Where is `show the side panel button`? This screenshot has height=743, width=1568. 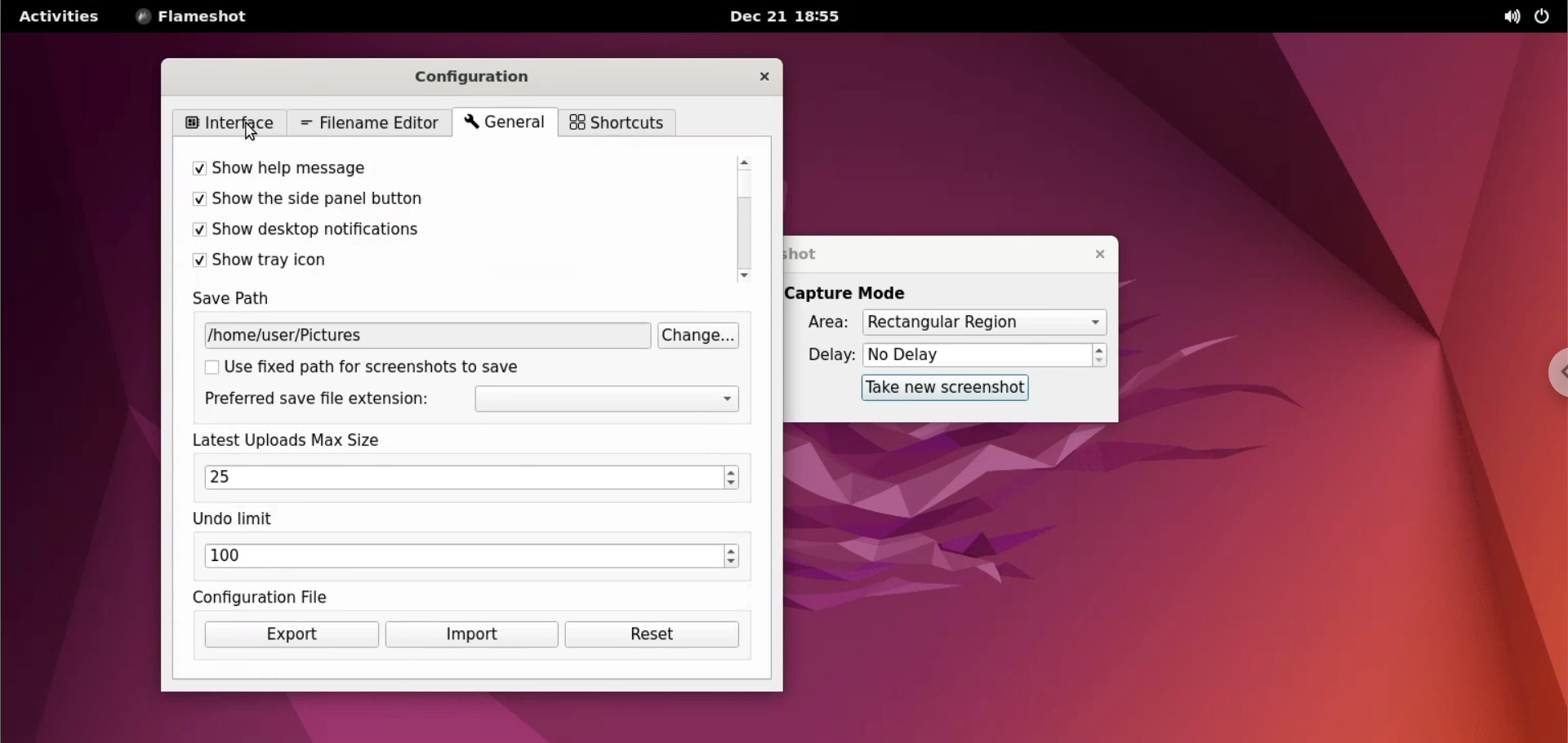 show the side panel button is located at coordinates (404, 201).